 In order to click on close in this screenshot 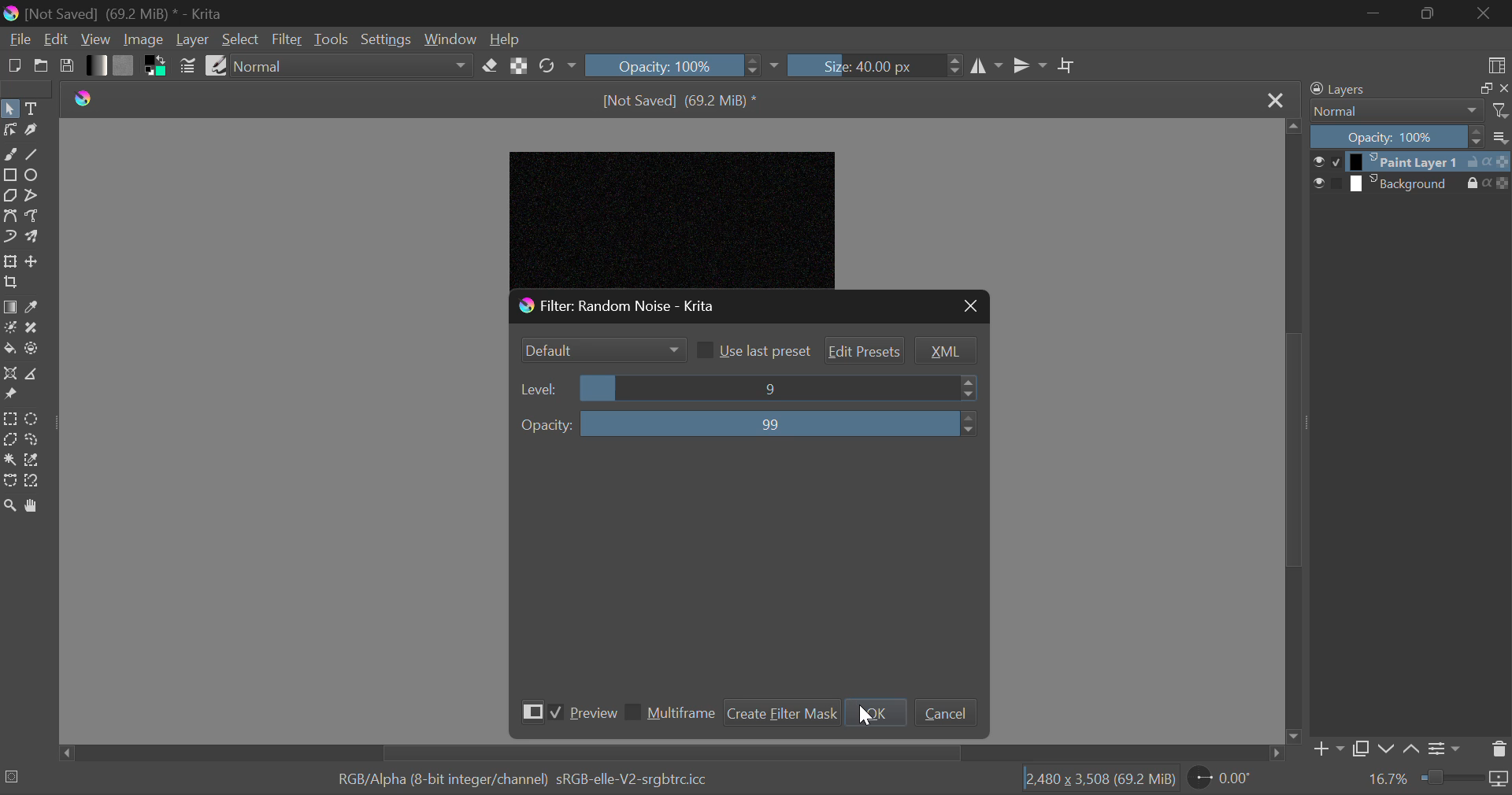, I will do `click(1503, 89)`.